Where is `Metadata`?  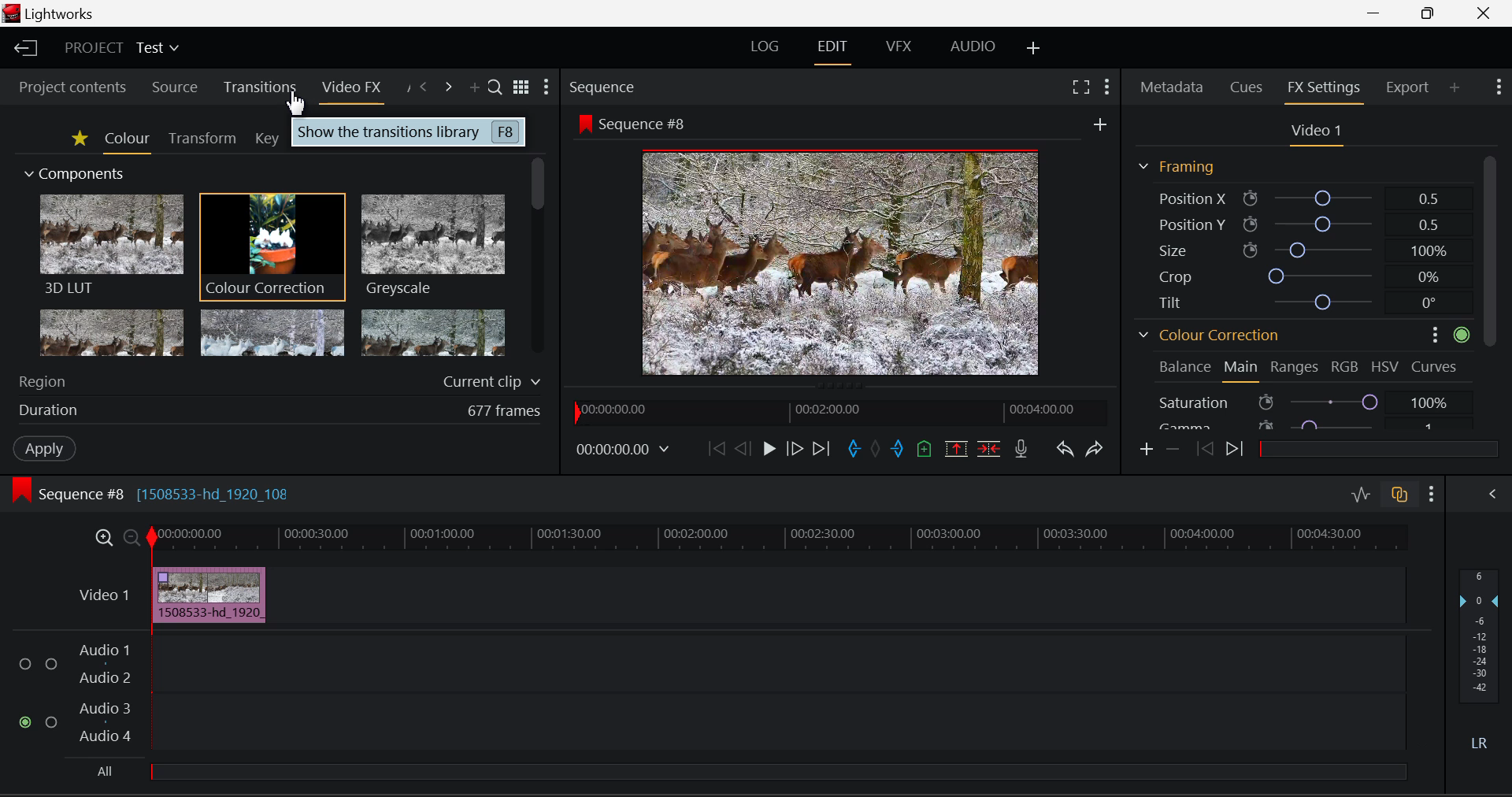
Metadata is located at coordinates (1172, 88).